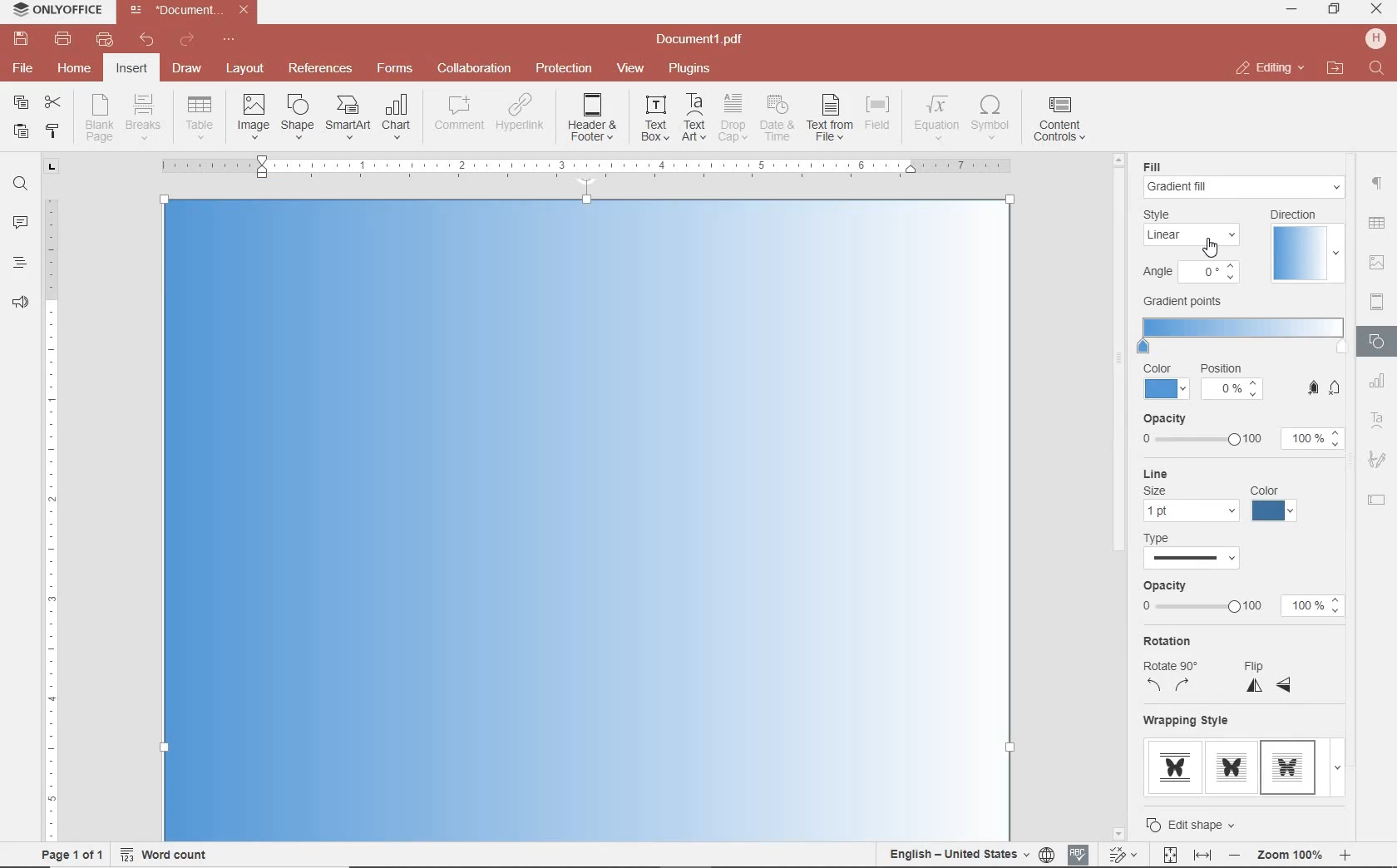 This screenshot has width=1397, height=868. What do you see at coordinates (1229, 649) in the screenshot?
I see `THROUGH` at bounding box center [1229, 649].